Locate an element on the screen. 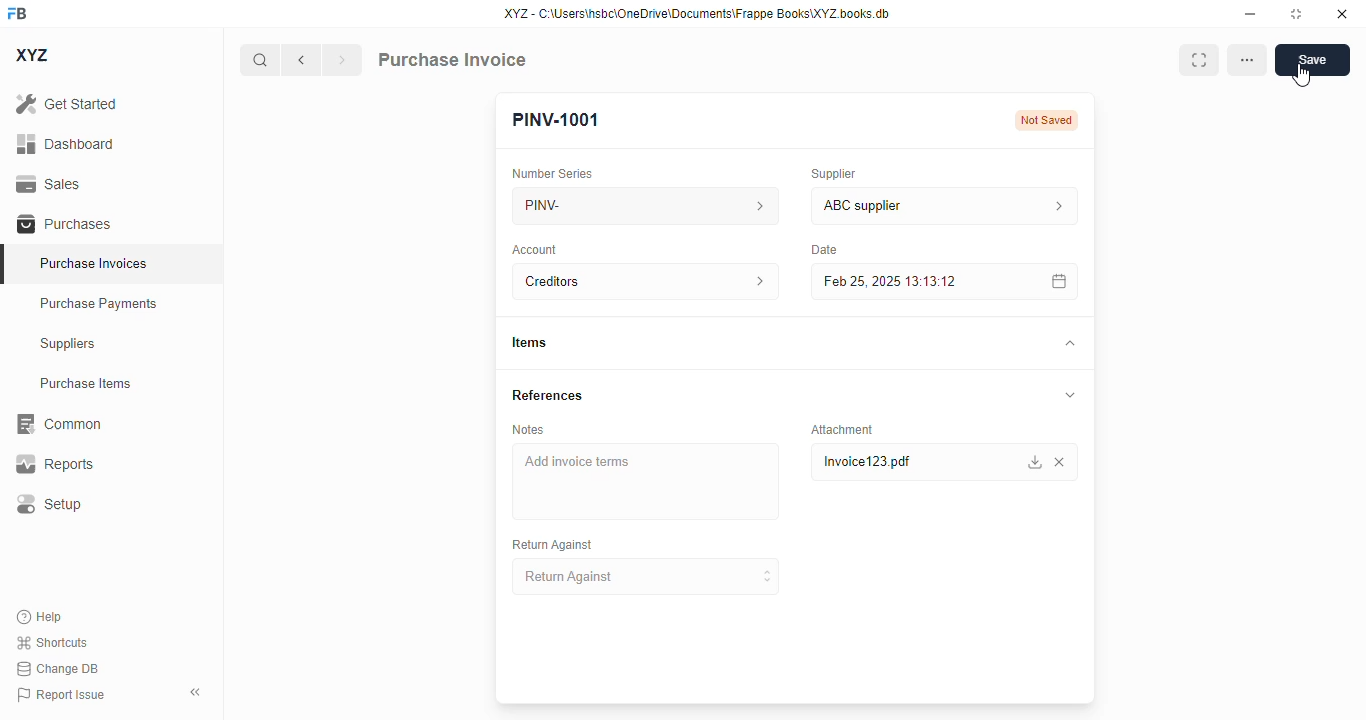 Image resolution: width=1366 pixels, height=720 pixels. dashboard is located at coordinates (65, 143).